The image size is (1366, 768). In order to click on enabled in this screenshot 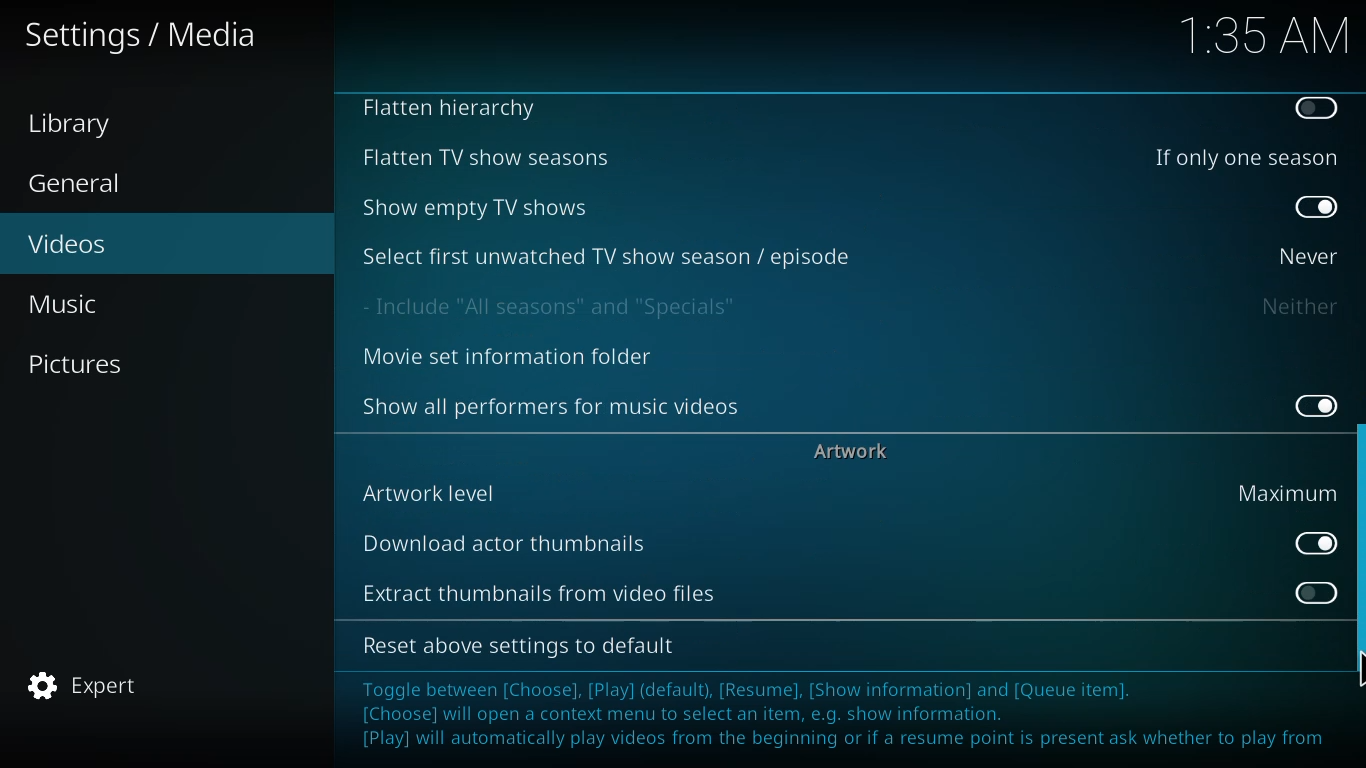, I will do `click(1310, 402)`.